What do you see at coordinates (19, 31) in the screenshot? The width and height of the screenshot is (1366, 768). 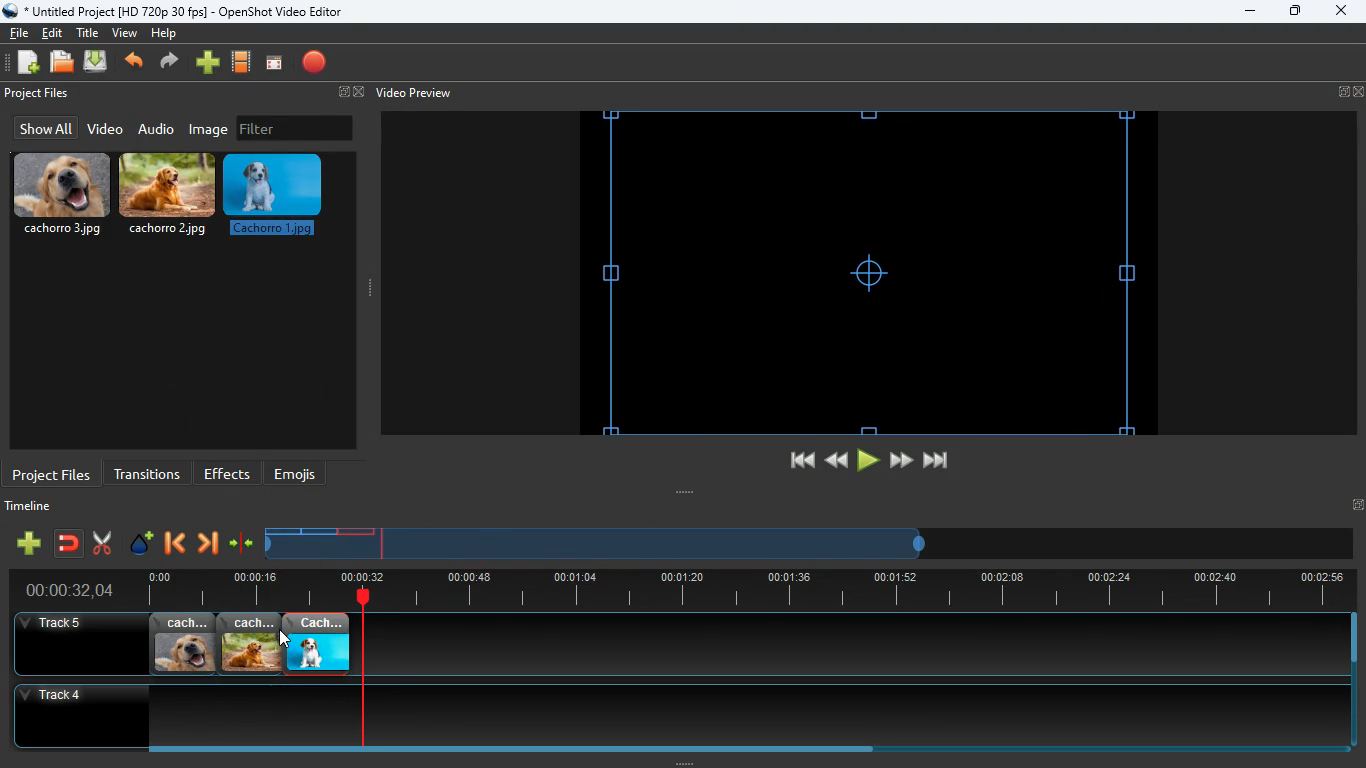 I see `file` at bounding box center [19, 31].